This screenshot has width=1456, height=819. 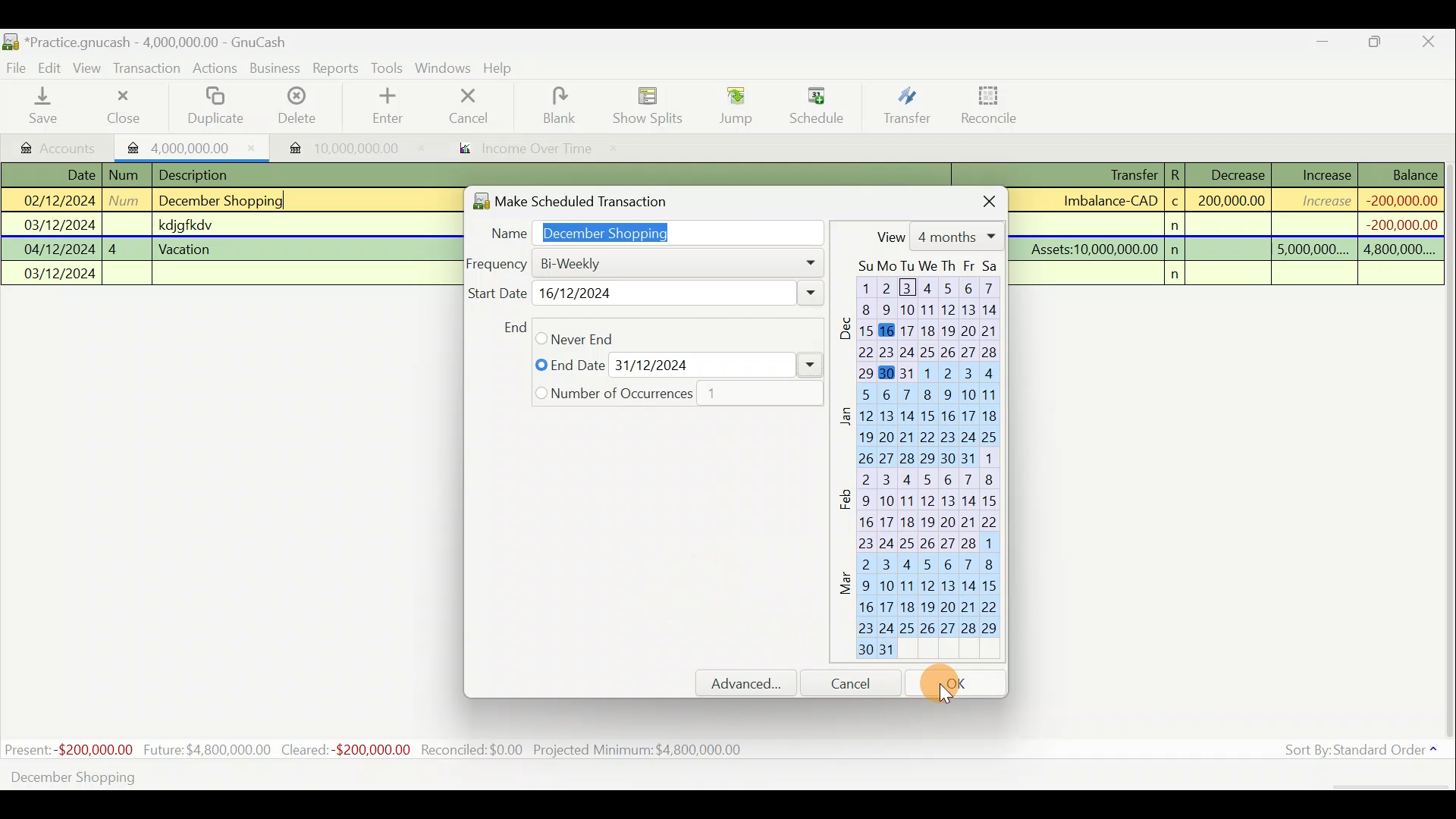 What do you see at coordinates (212, 107) in the screenshot?
I see `Duplicate` at bounding box center [212, 107].